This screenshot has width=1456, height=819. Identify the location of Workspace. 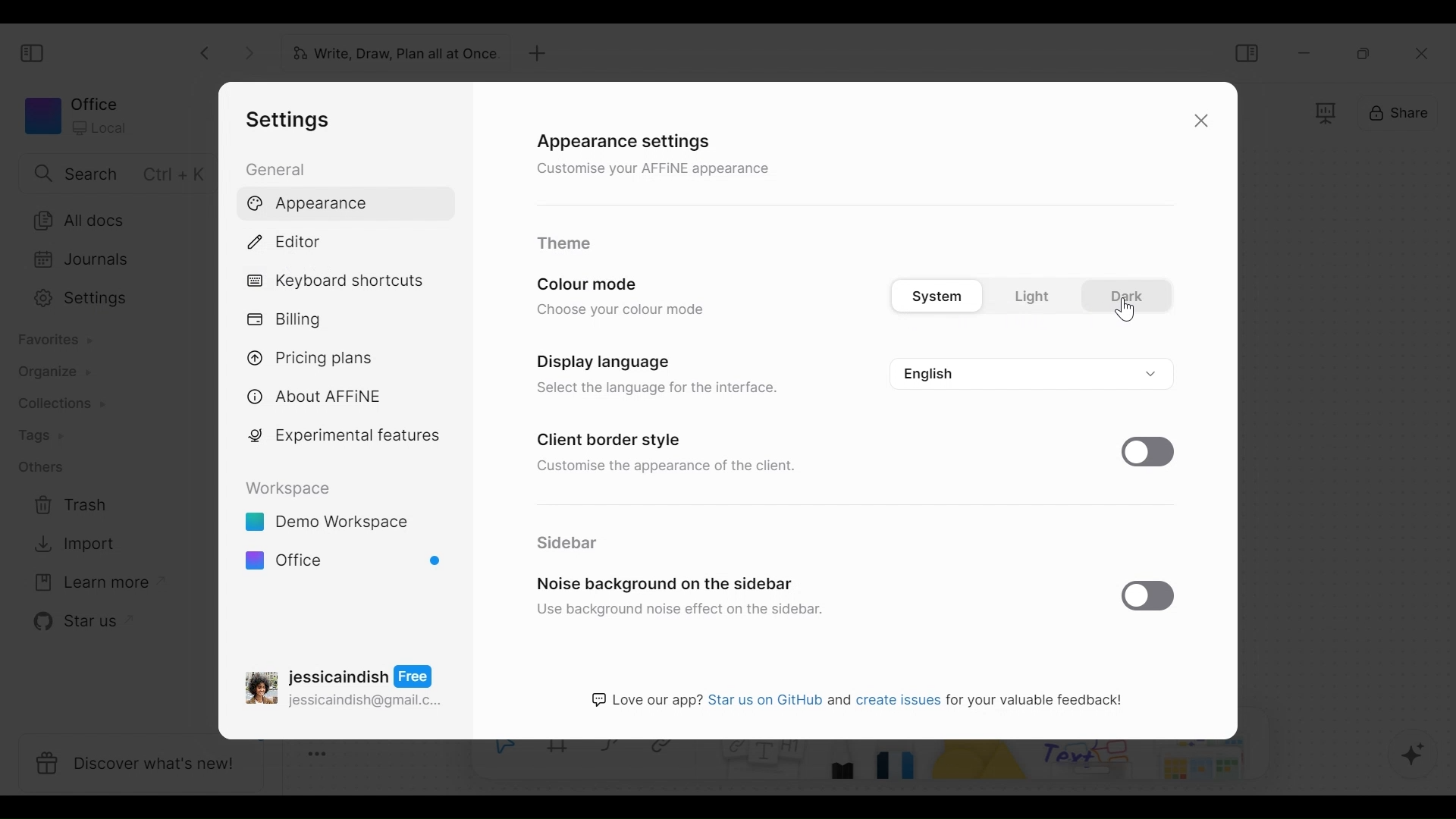
(76, 115).